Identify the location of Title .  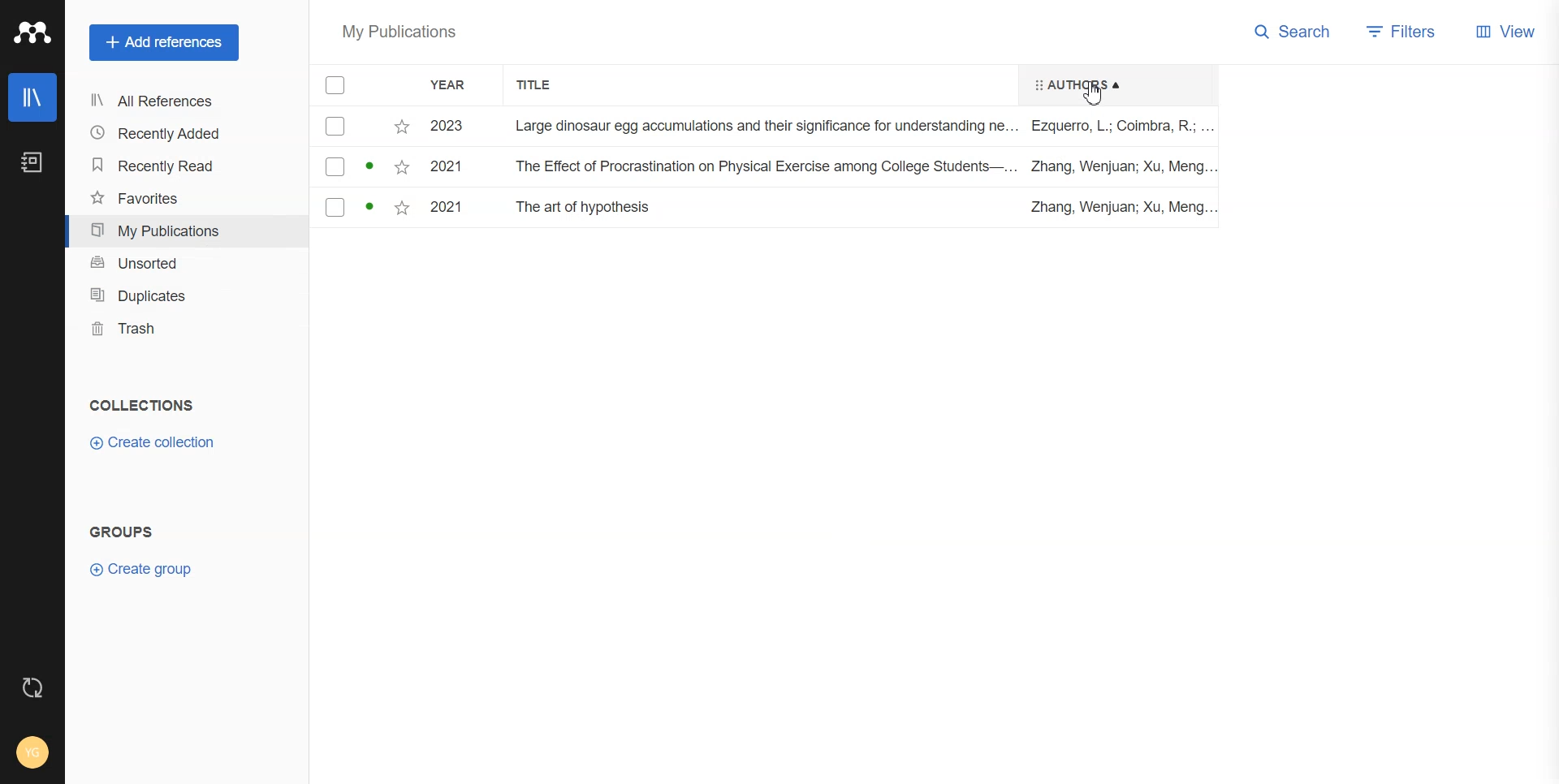
(543, 85).